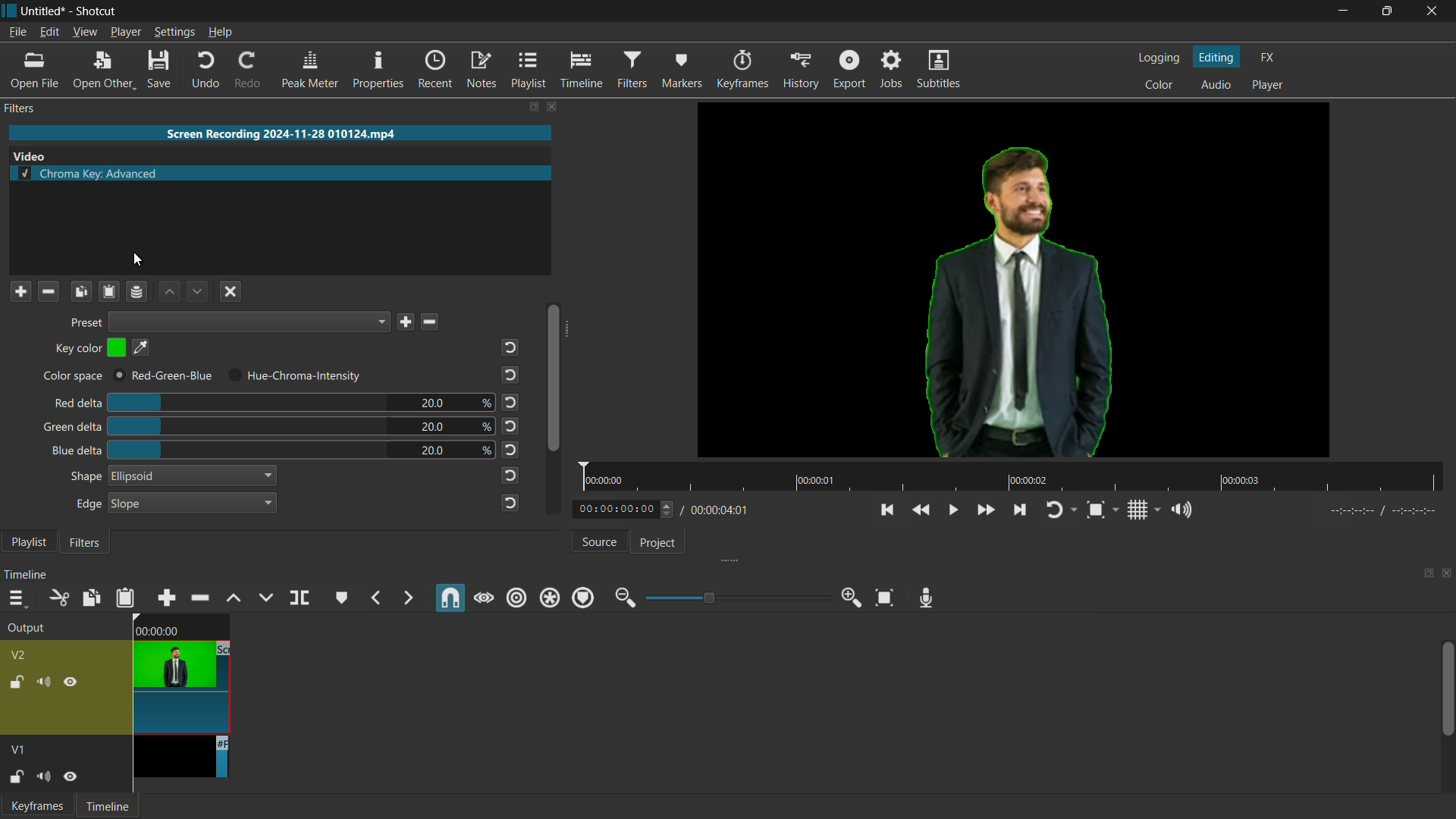 This screenshot has height=819, width=1456. I want to click on reset to default, so click(510, 402).